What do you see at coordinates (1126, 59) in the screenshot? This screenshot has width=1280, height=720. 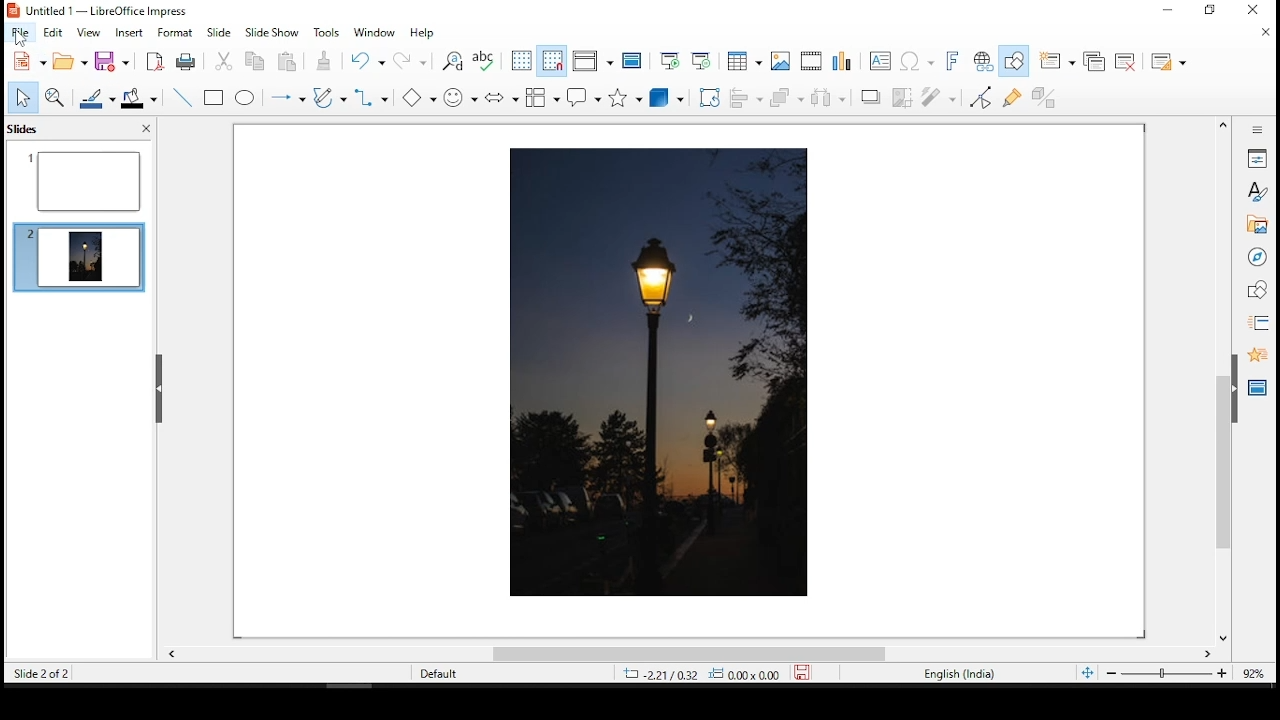 I see `delete slide` at bounding box center [1126, 59].